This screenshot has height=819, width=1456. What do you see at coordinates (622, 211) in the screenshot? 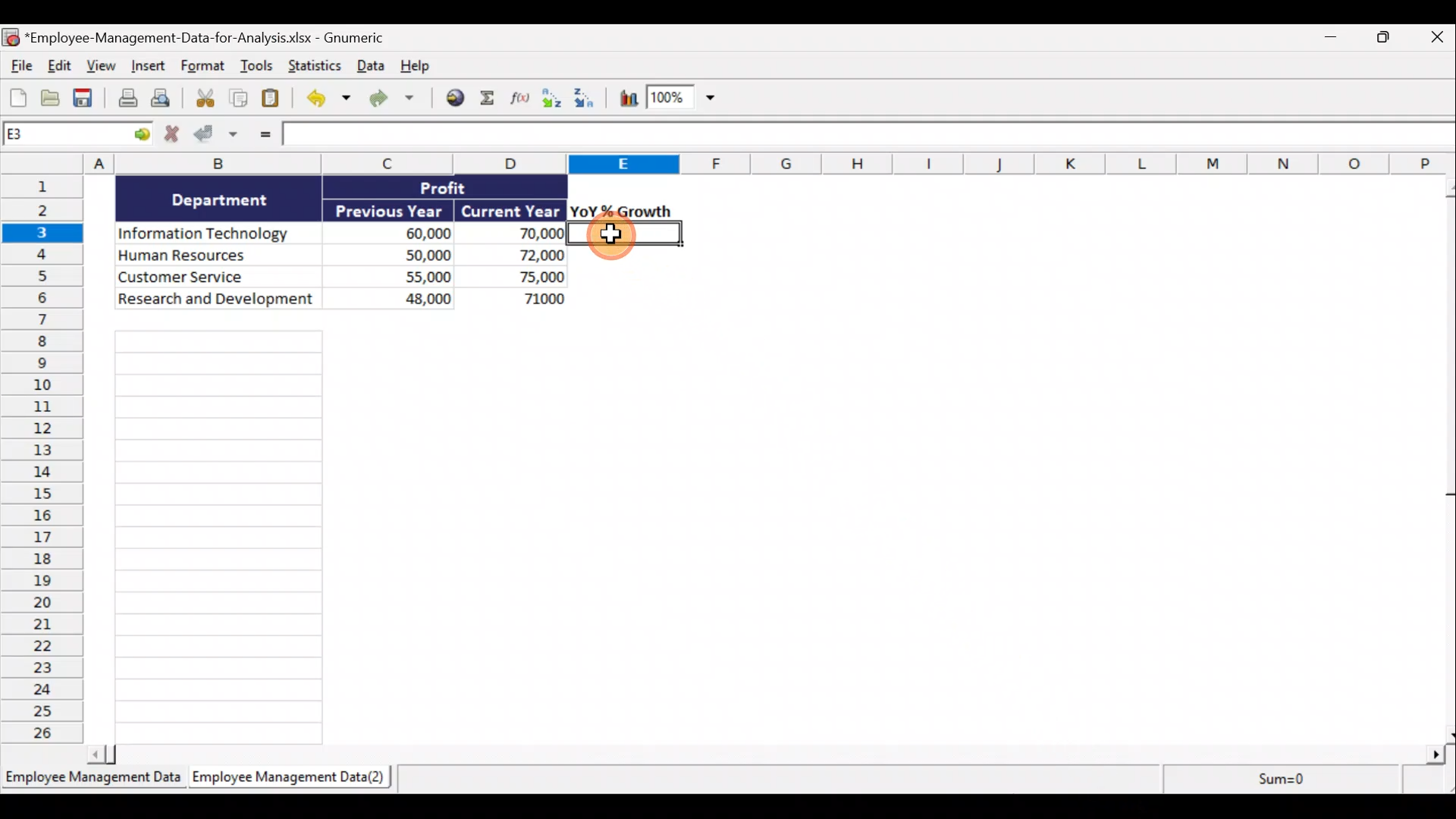
I see `YoY% Growth` at bounding box center [622, 211].